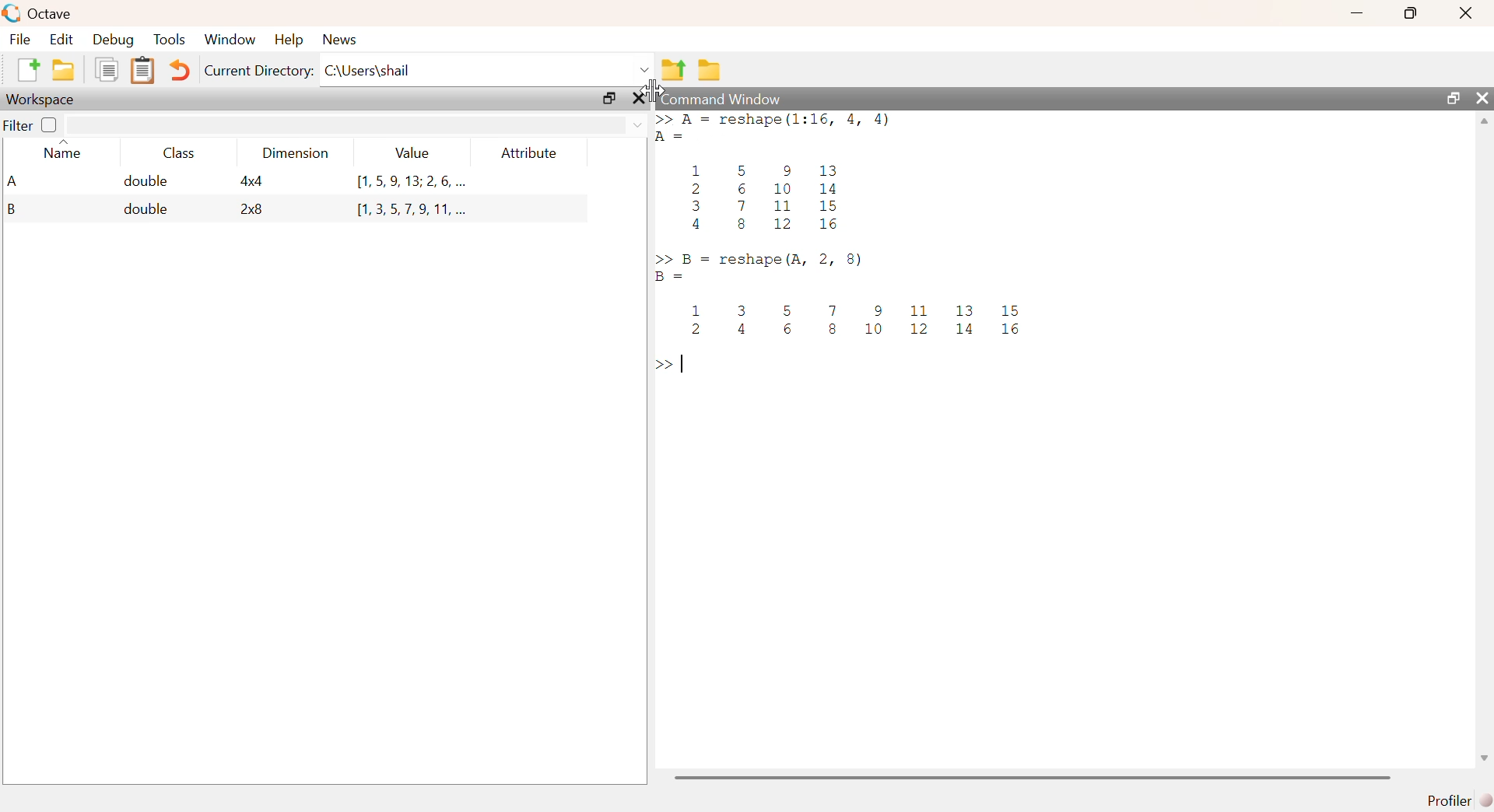 Image resolution: width=1494 pixels, height=812 pixels. I want to click on 4x4, so click(255, 181).